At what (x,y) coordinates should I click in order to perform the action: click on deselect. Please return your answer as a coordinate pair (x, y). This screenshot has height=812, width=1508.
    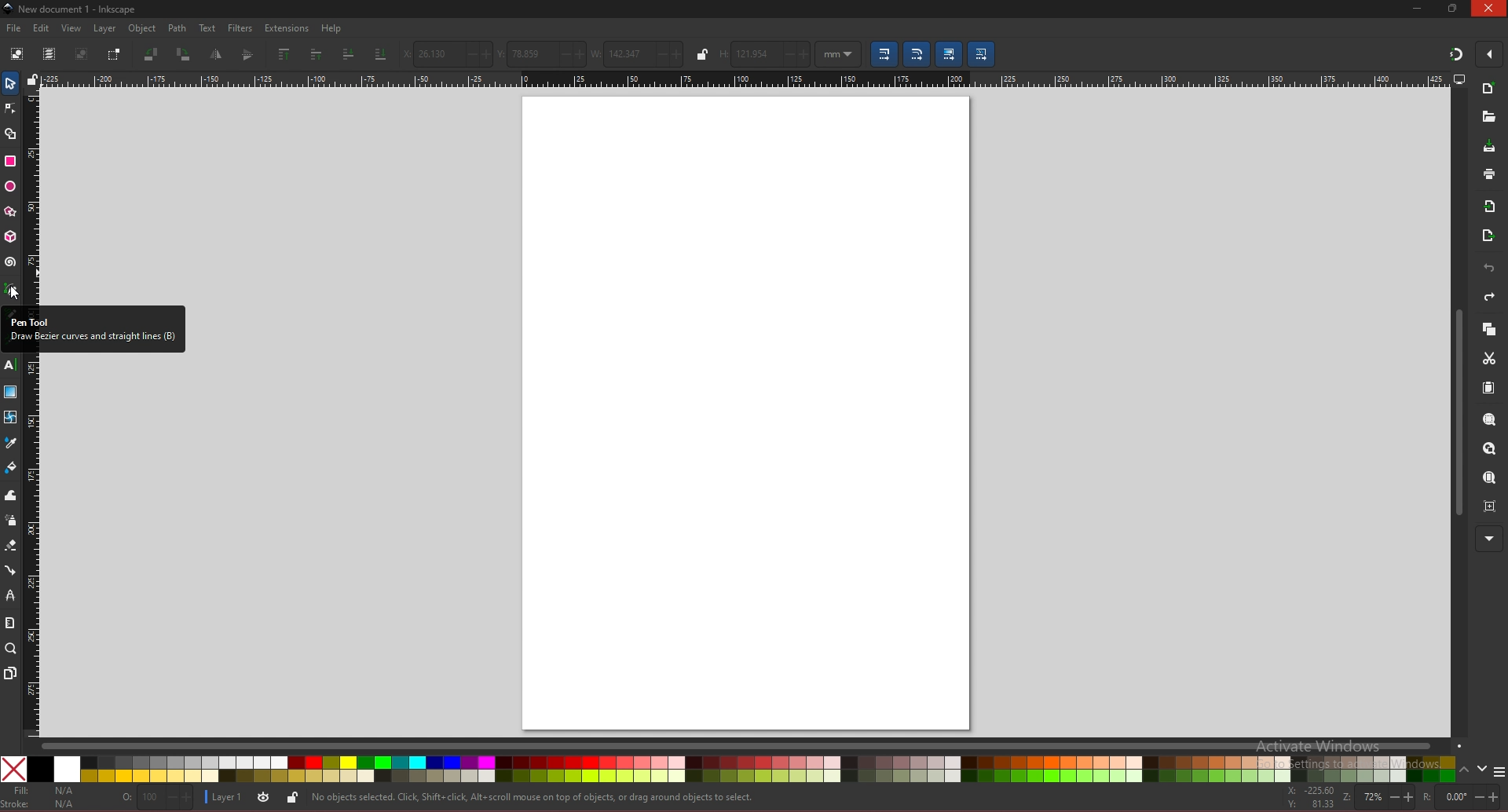
    Looking at the image, I should click on (81, 53).